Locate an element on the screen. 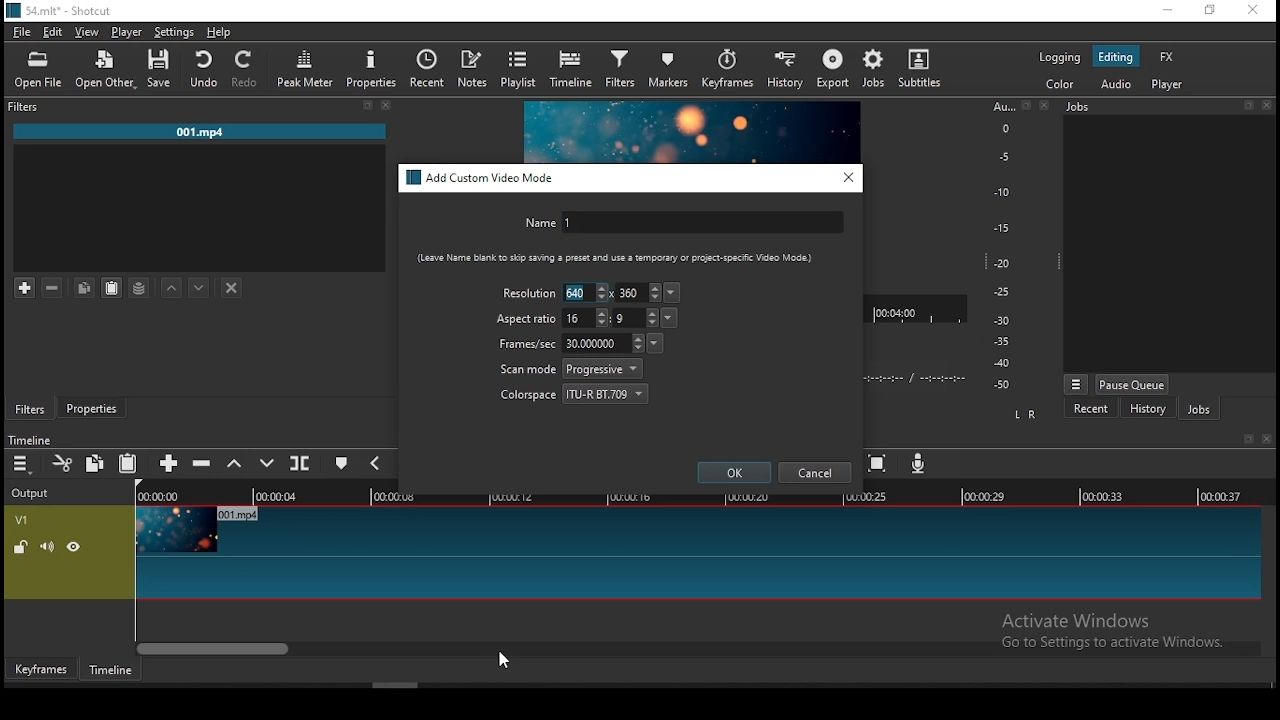  aspect ratio is located at coordinates (527, 319).